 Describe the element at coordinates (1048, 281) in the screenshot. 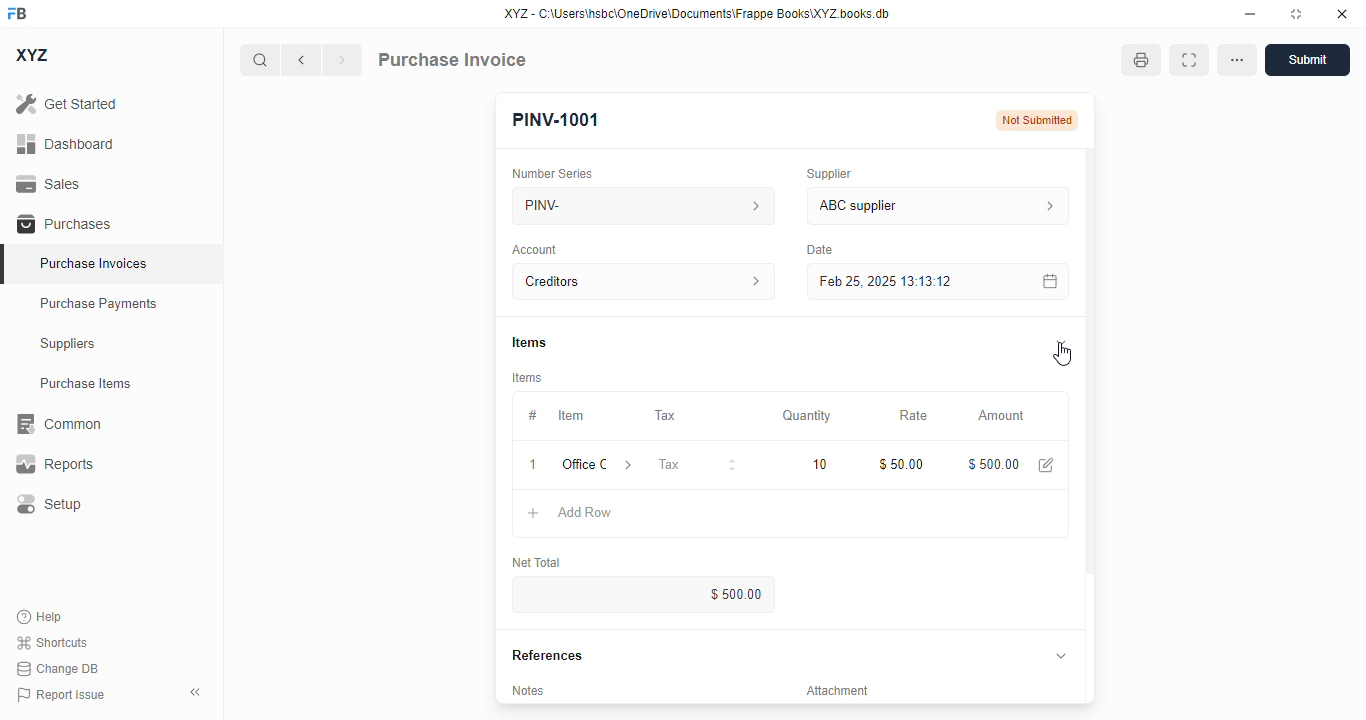

I see `calendar icon` at that location.